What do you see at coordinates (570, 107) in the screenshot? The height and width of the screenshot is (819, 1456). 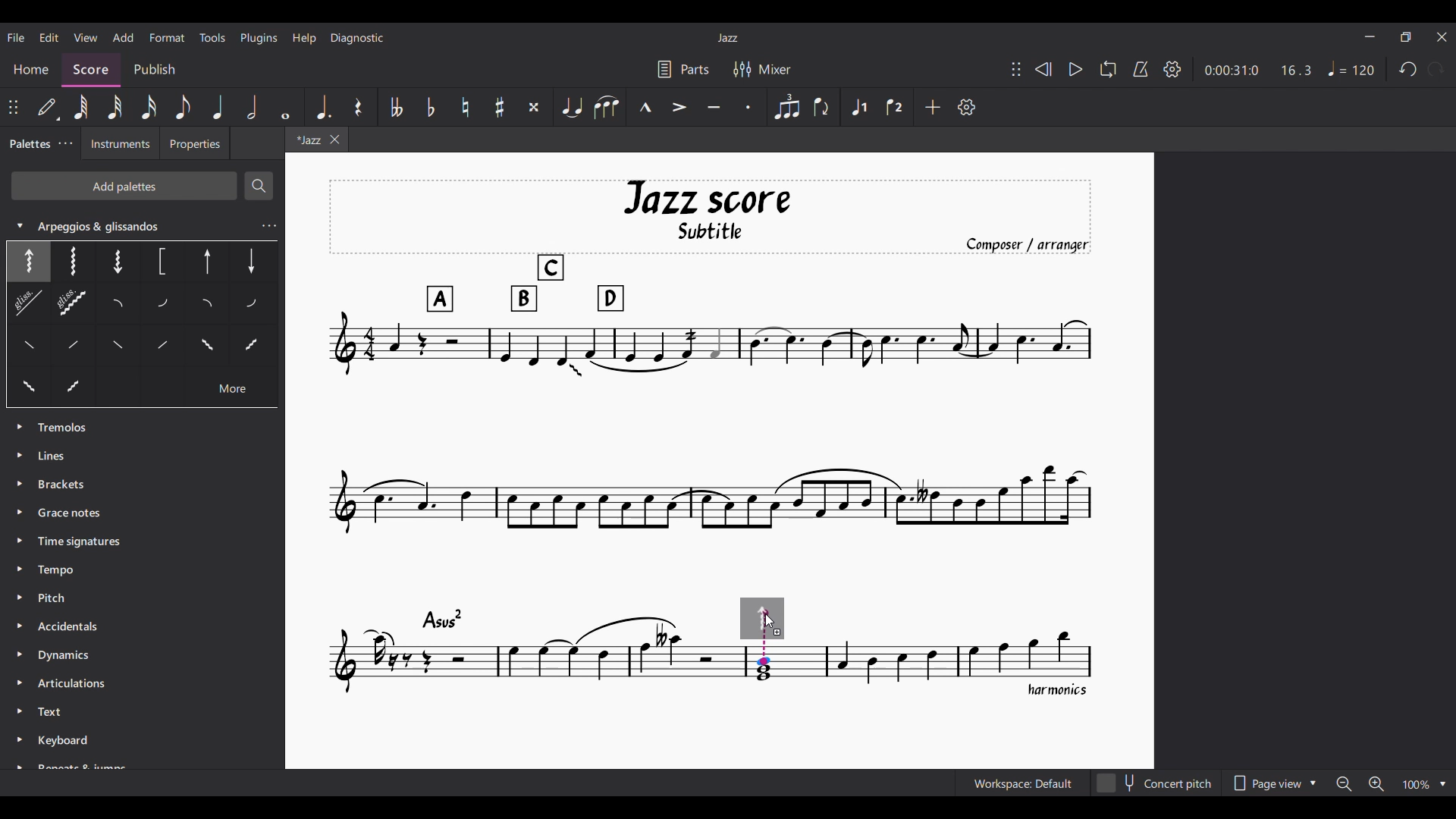 I see `Tie` at bounding box center [570, 107].